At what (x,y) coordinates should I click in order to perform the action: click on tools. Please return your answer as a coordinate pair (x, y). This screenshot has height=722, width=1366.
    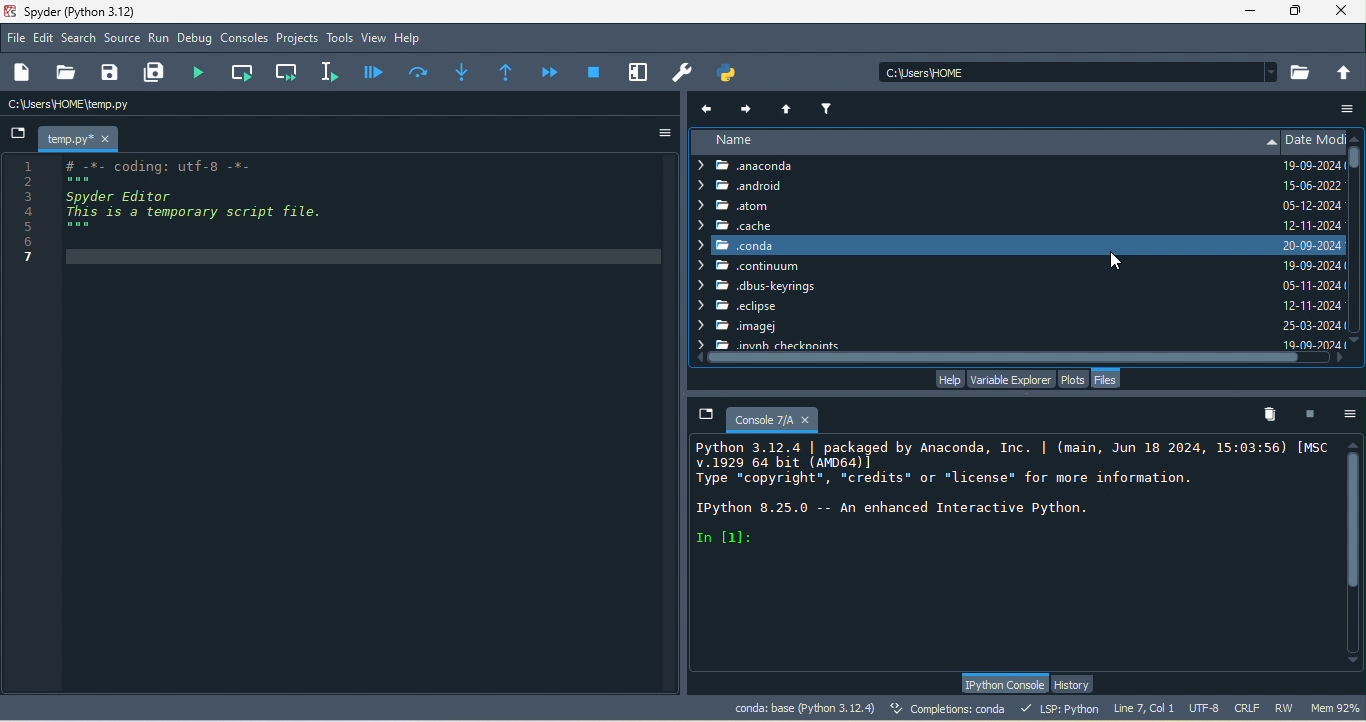
    Looking at the image, I should click on (340, 39).